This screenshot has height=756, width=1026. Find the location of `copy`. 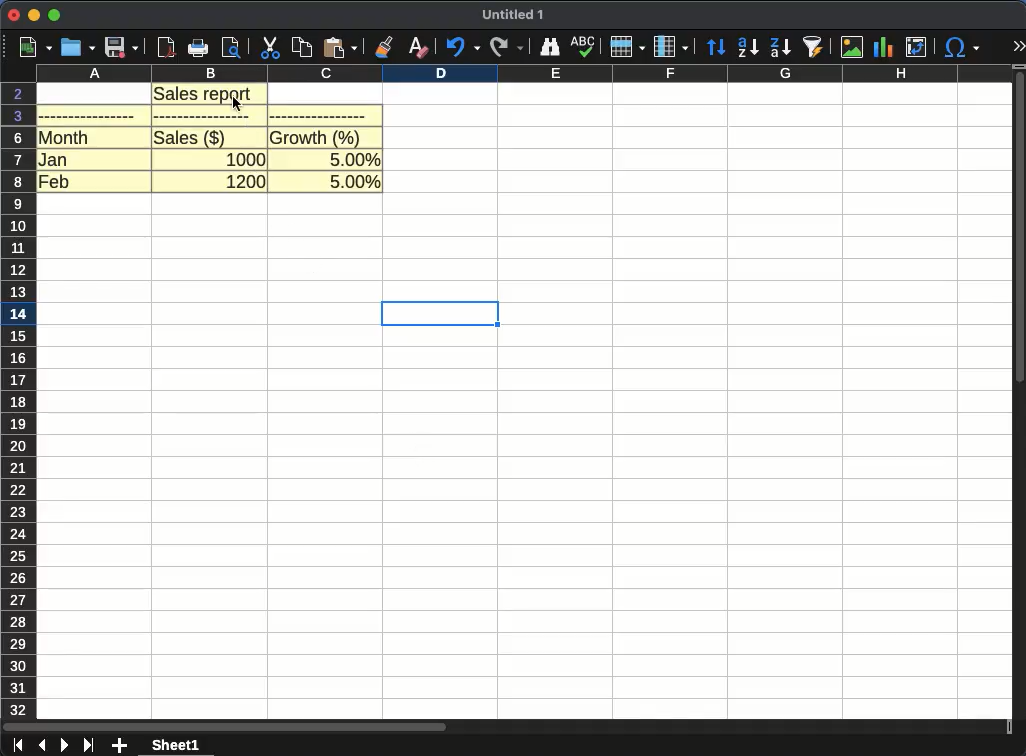

copy is located at coordinates (303, 48).